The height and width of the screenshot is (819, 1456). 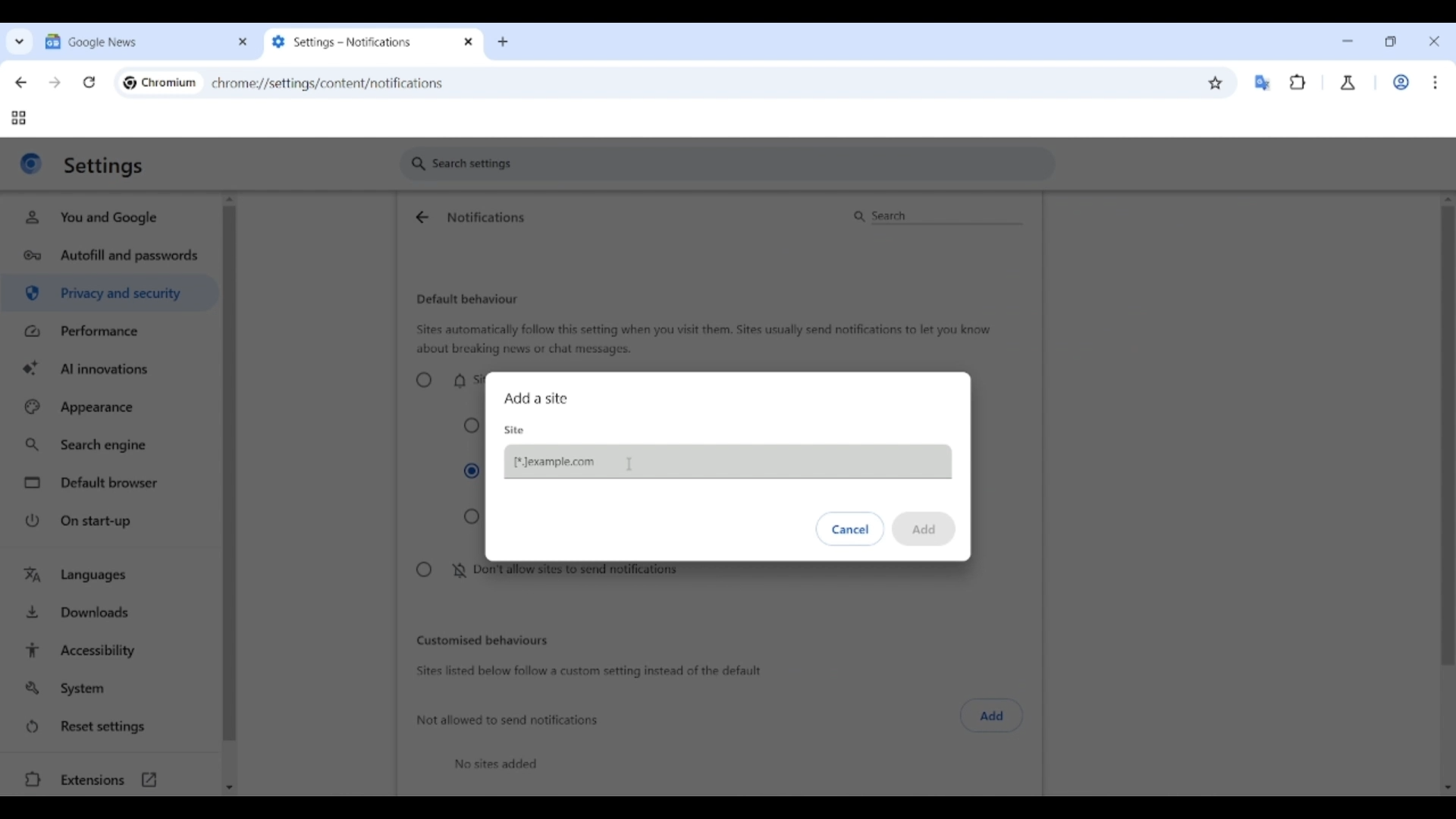 What do you see at coordinates (630, 463) in the screenshot?
I see `Cursor clicking on space to add site address` at bounding box center [630, 463].